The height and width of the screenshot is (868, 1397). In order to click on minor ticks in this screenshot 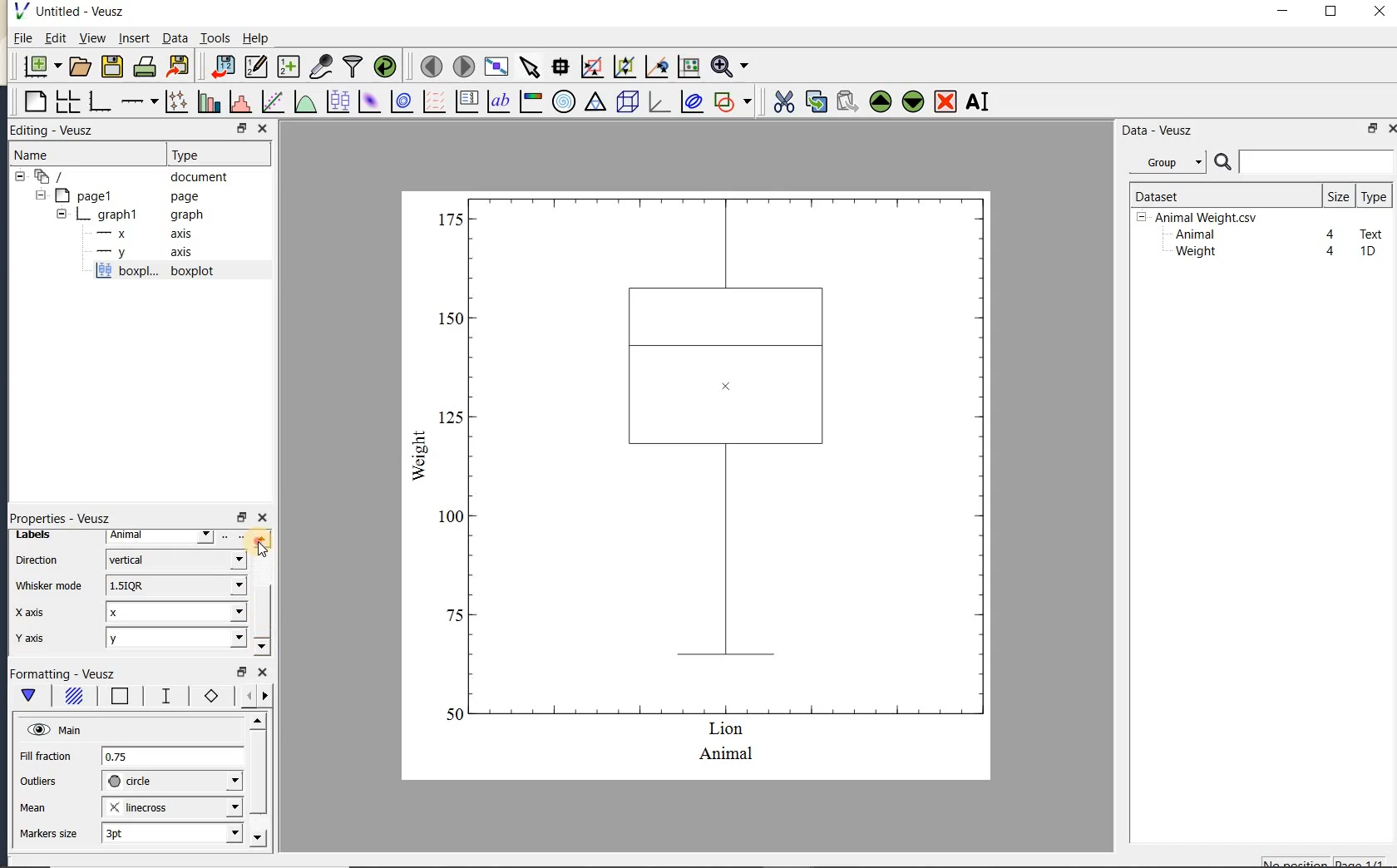, I will do `click(251, 696)`.